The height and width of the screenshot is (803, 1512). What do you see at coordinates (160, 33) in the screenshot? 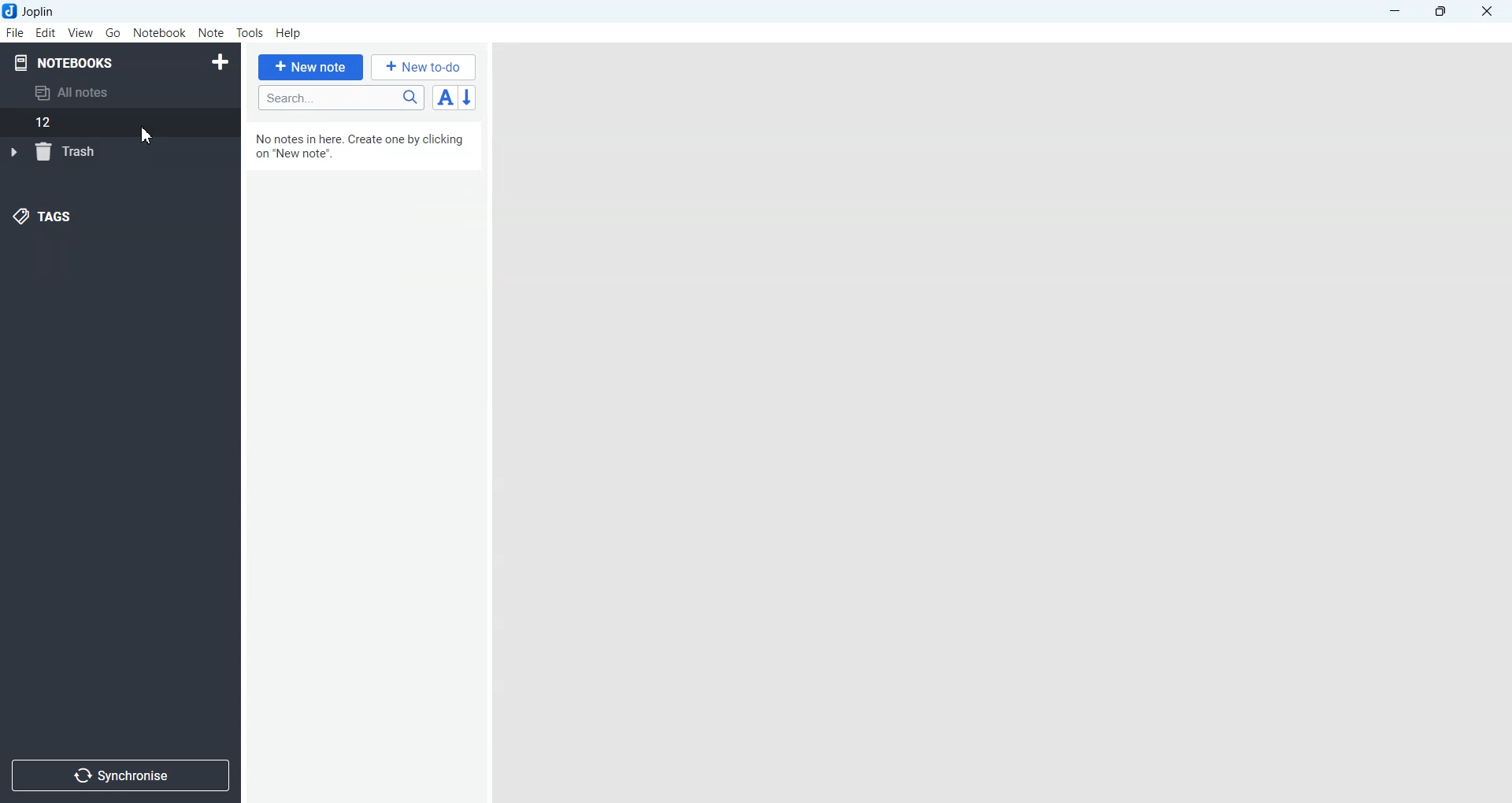
I see `Notebook` at bounding box center [160, 33].